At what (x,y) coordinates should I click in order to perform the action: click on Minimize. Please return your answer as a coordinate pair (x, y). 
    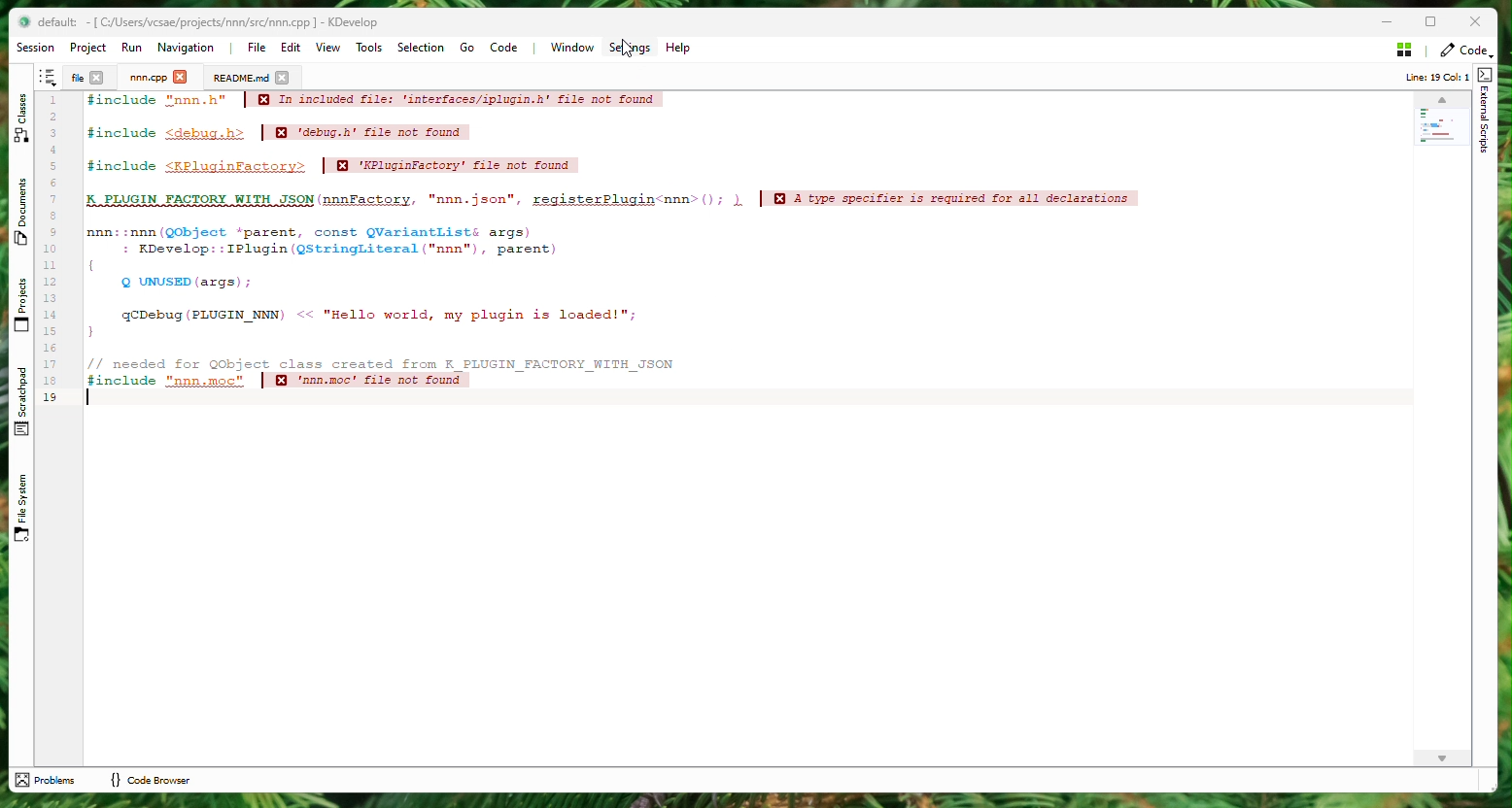
    Looking at the image, I should click on (1390, 22).